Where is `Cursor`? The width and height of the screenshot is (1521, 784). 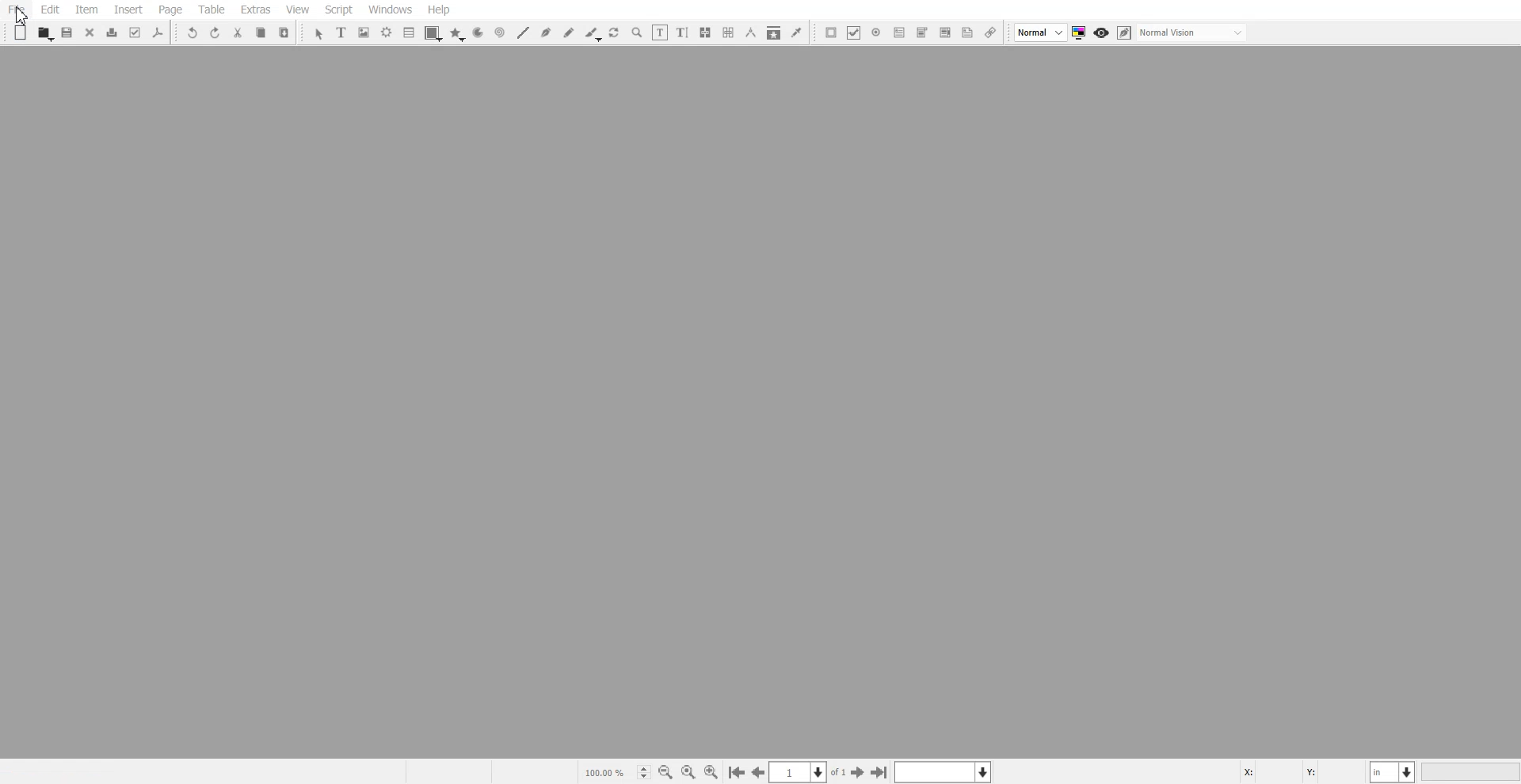
Cursor is located at coordinates (21, 14).